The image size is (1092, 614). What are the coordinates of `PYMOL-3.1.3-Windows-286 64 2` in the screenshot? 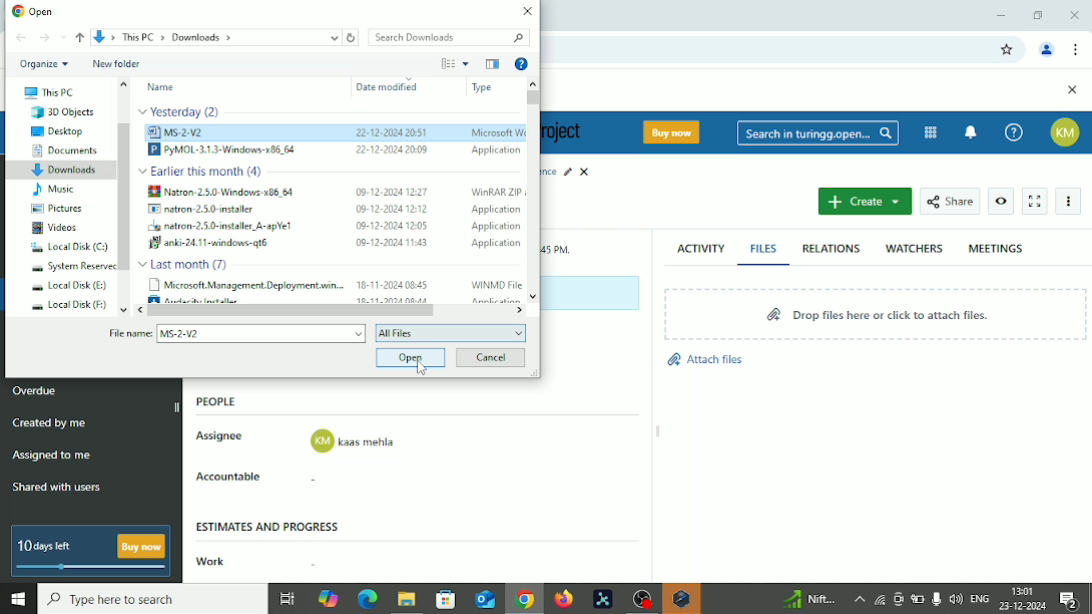 It's located at (225, 150).